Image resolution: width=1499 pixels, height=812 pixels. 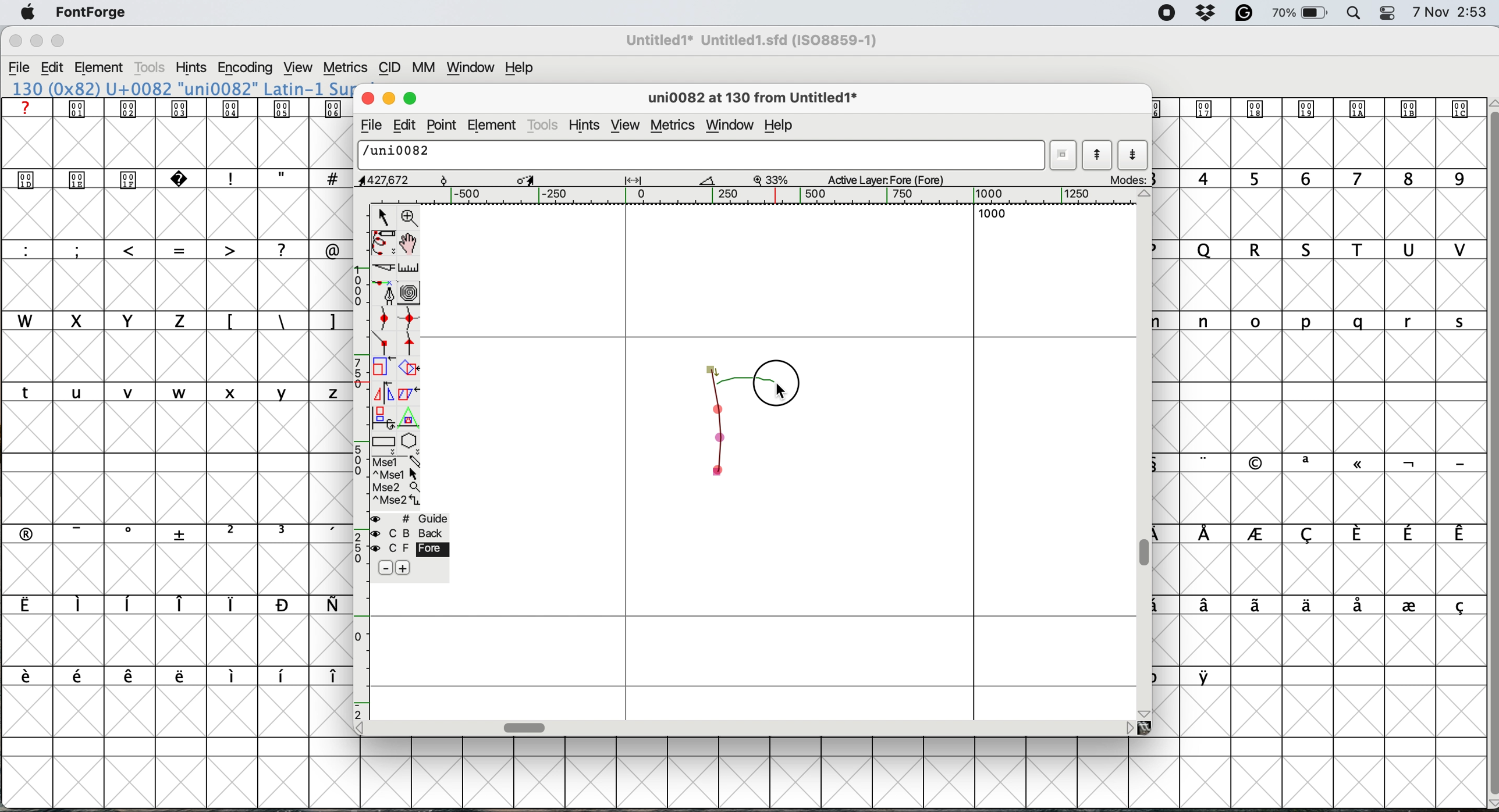 I want to click on special characters, so click(x=168, y=675).